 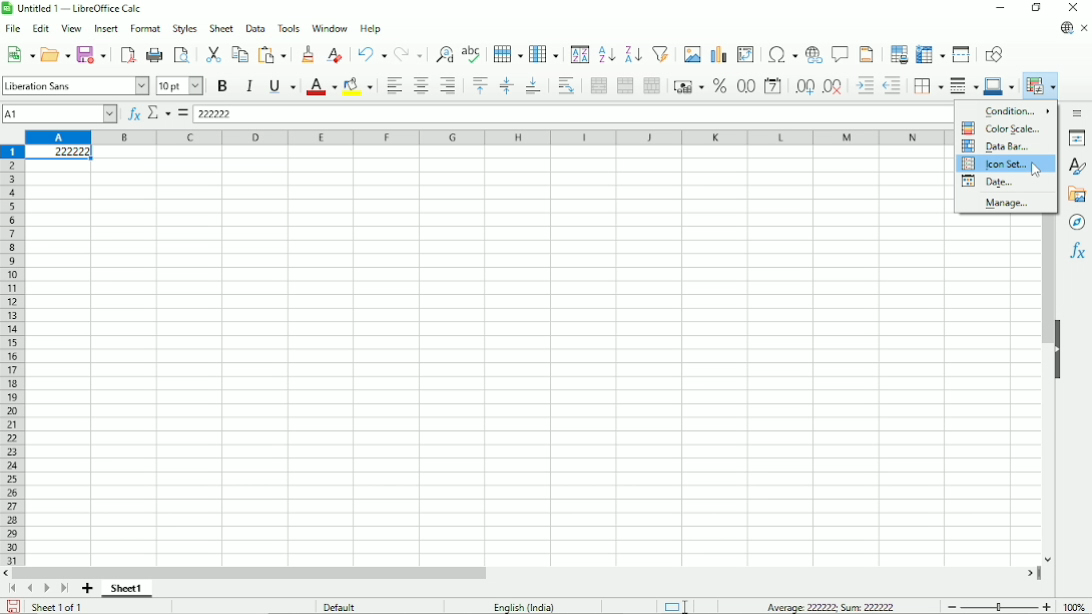 I want to click on Functions, so click(x=1077, y=252).